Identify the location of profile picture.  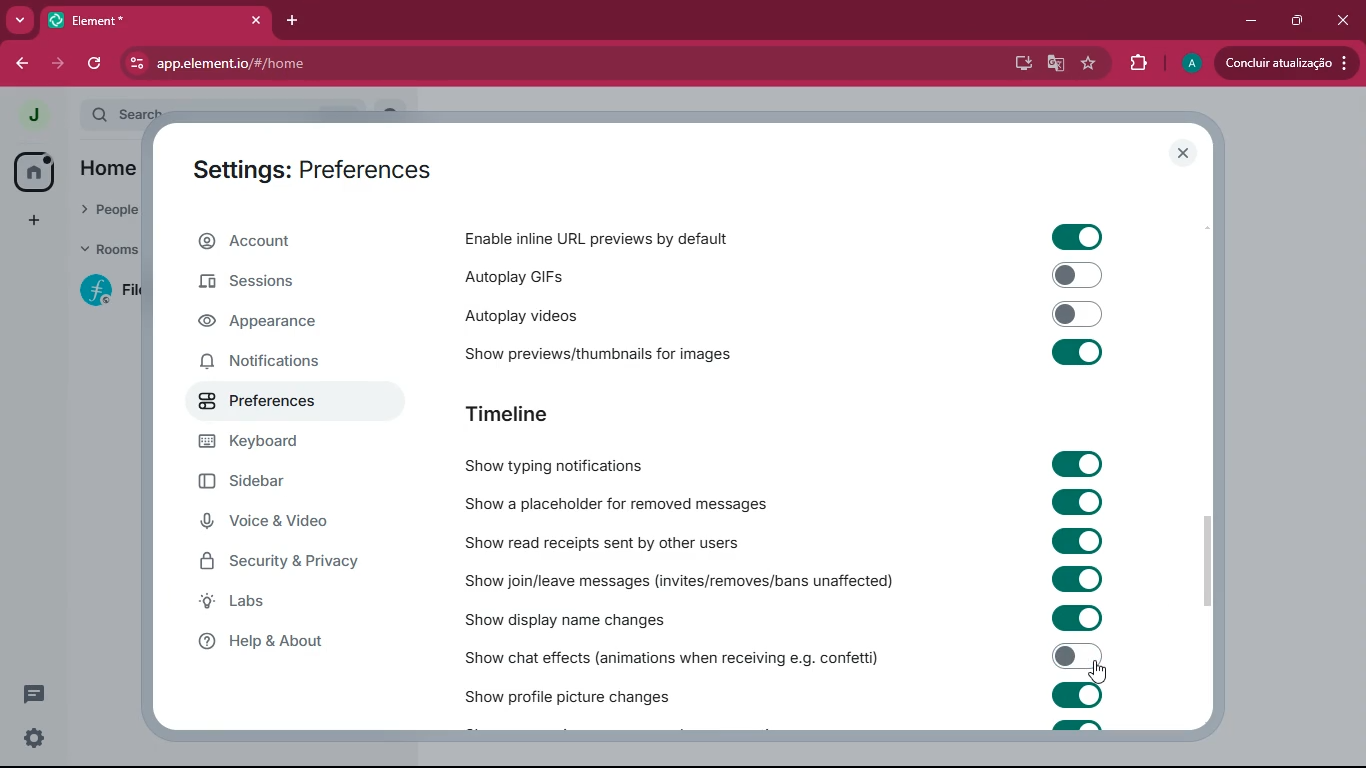
(1189, 64).